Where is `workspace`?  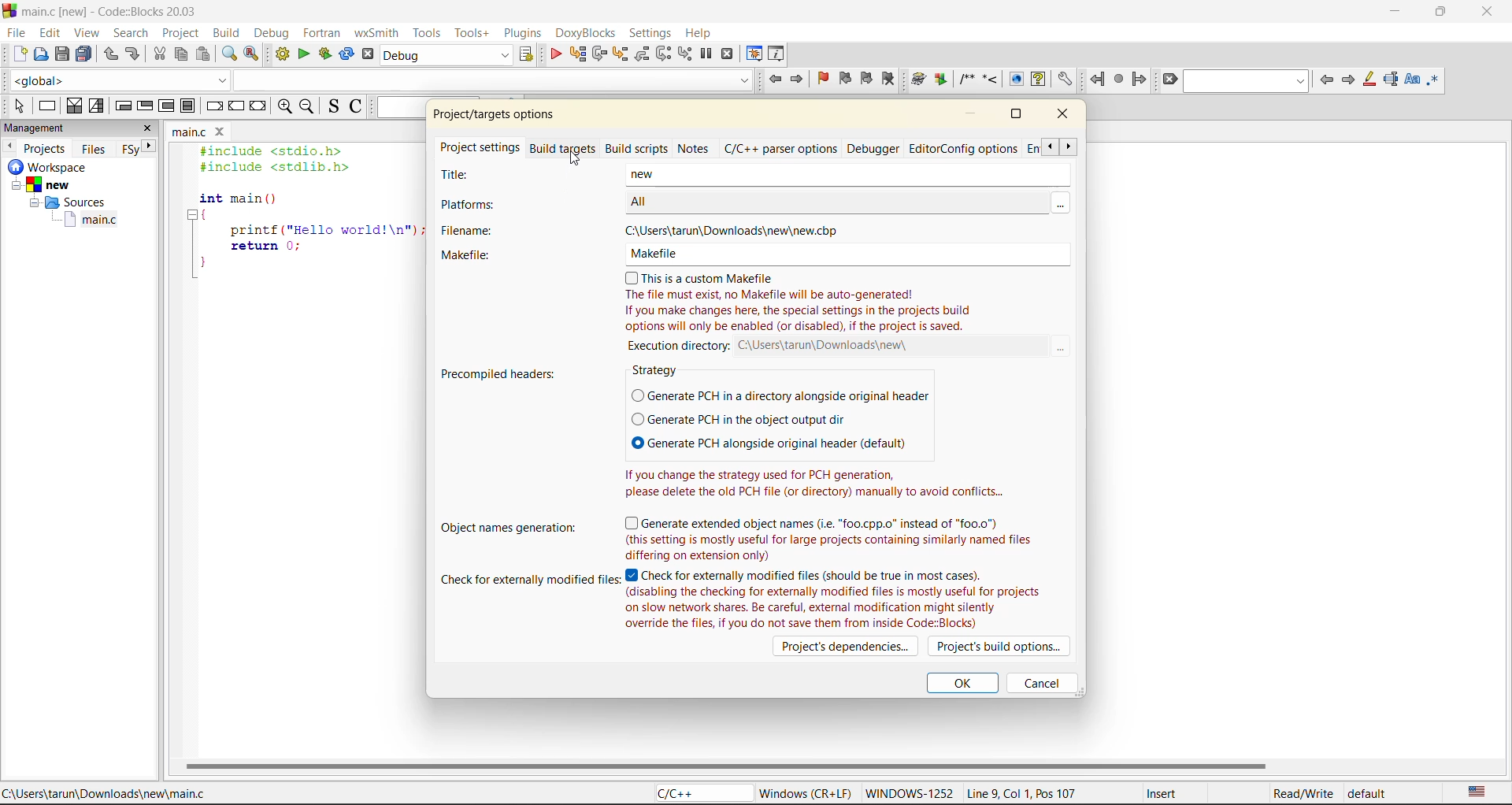 workspace is located at coordinates (51, 168).